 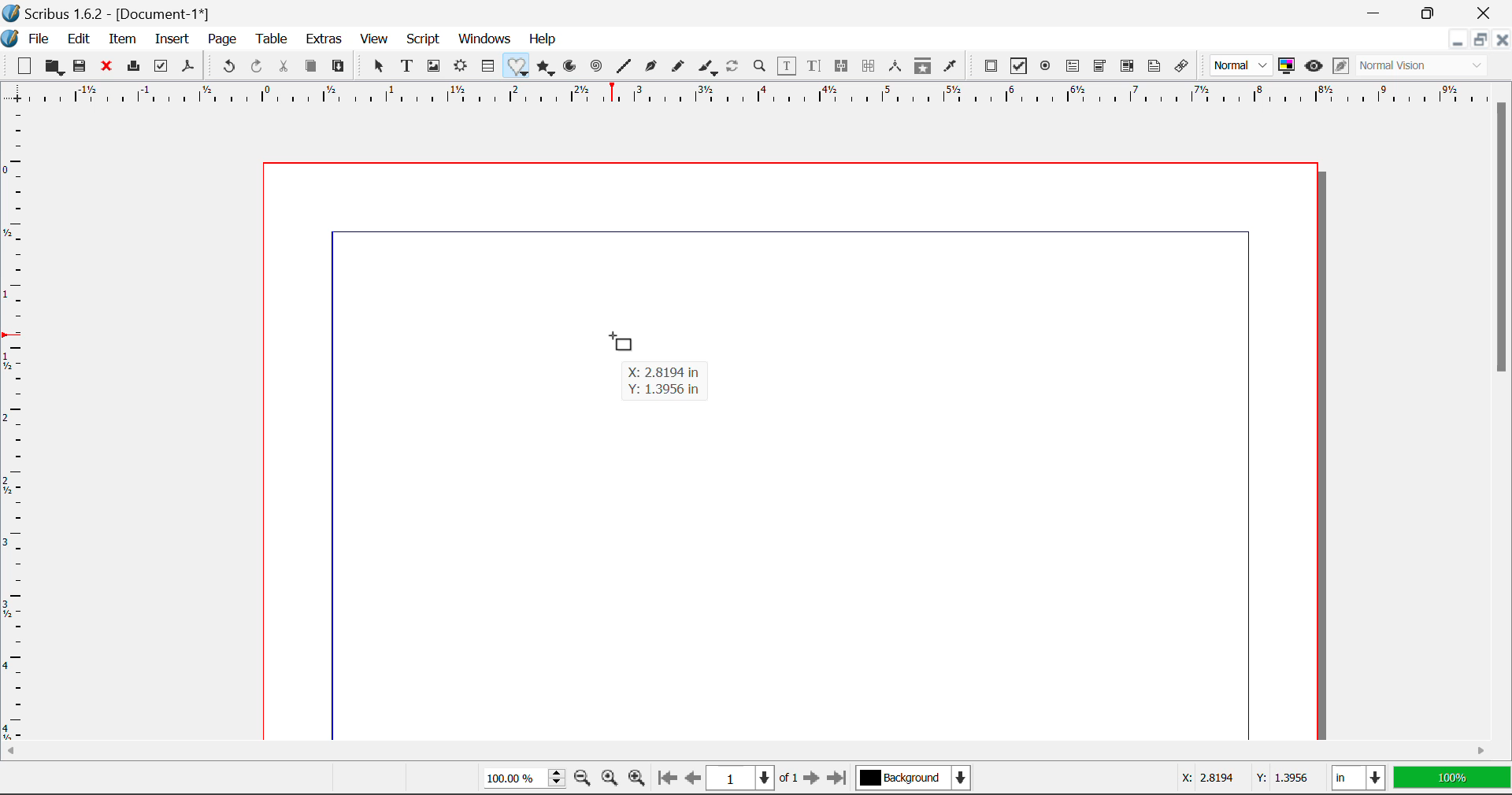 I want to click on Pdf Checkbox, so click(x=1021, y=68).